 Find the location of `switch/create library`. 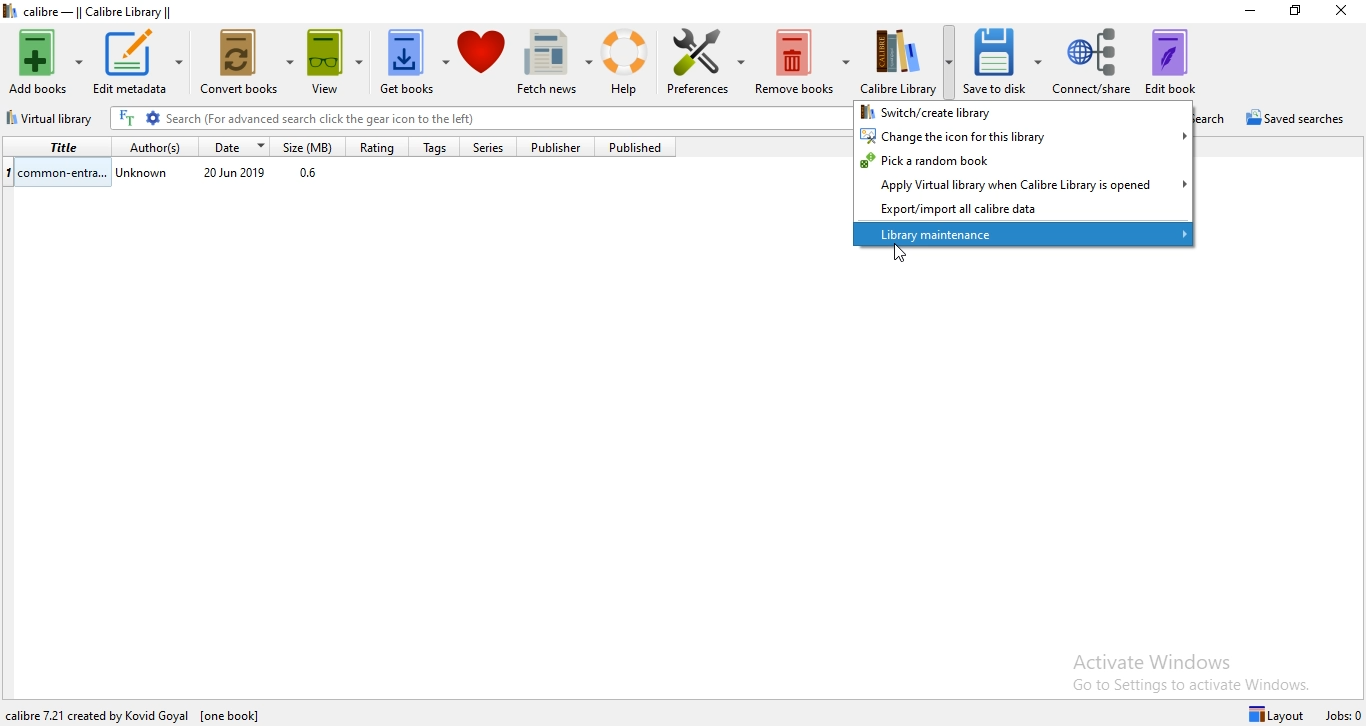

switch/create library is located at coordinates (1021, 111).